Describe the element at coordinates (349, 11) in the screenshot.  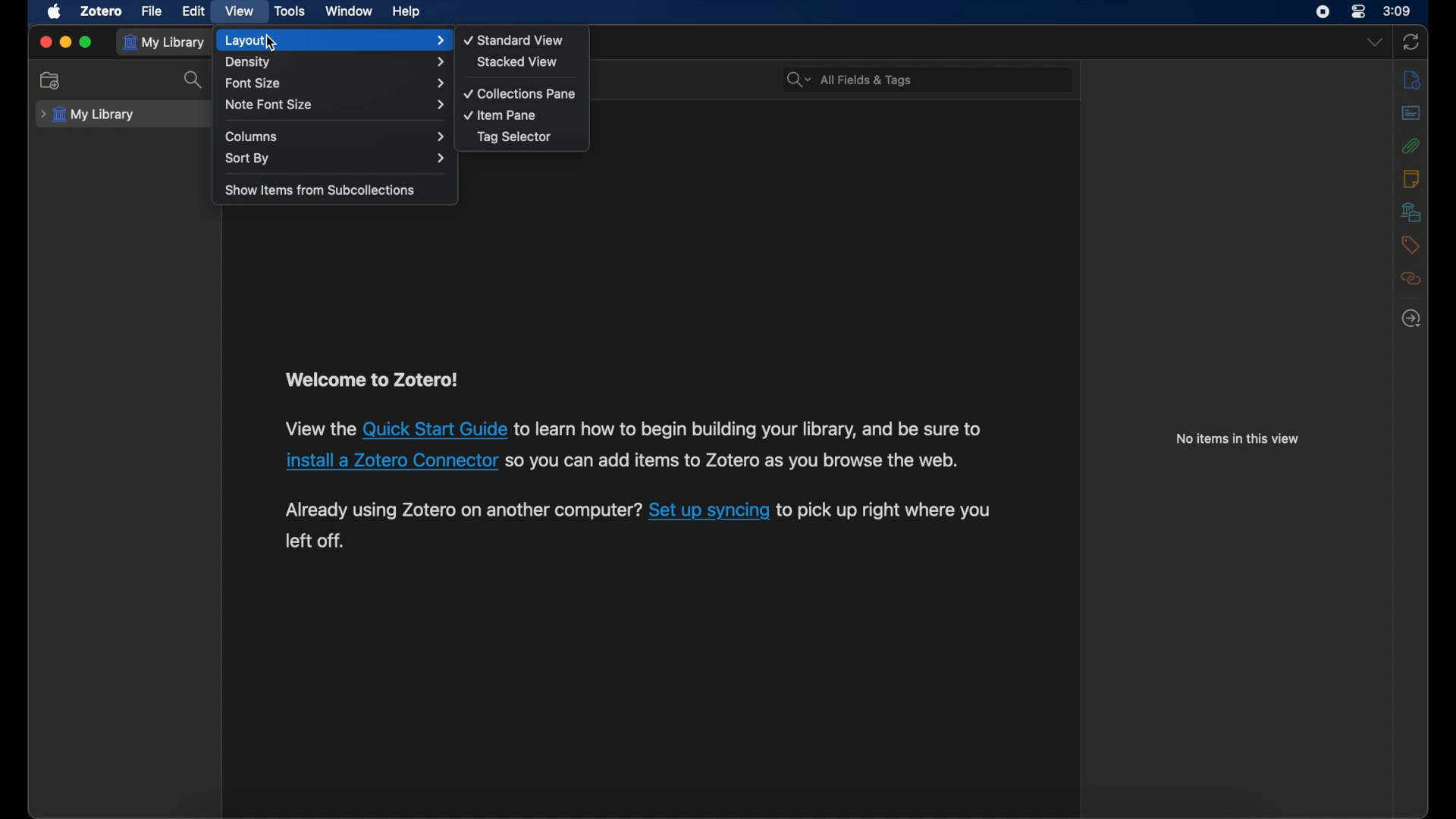
I see `window` at that location.